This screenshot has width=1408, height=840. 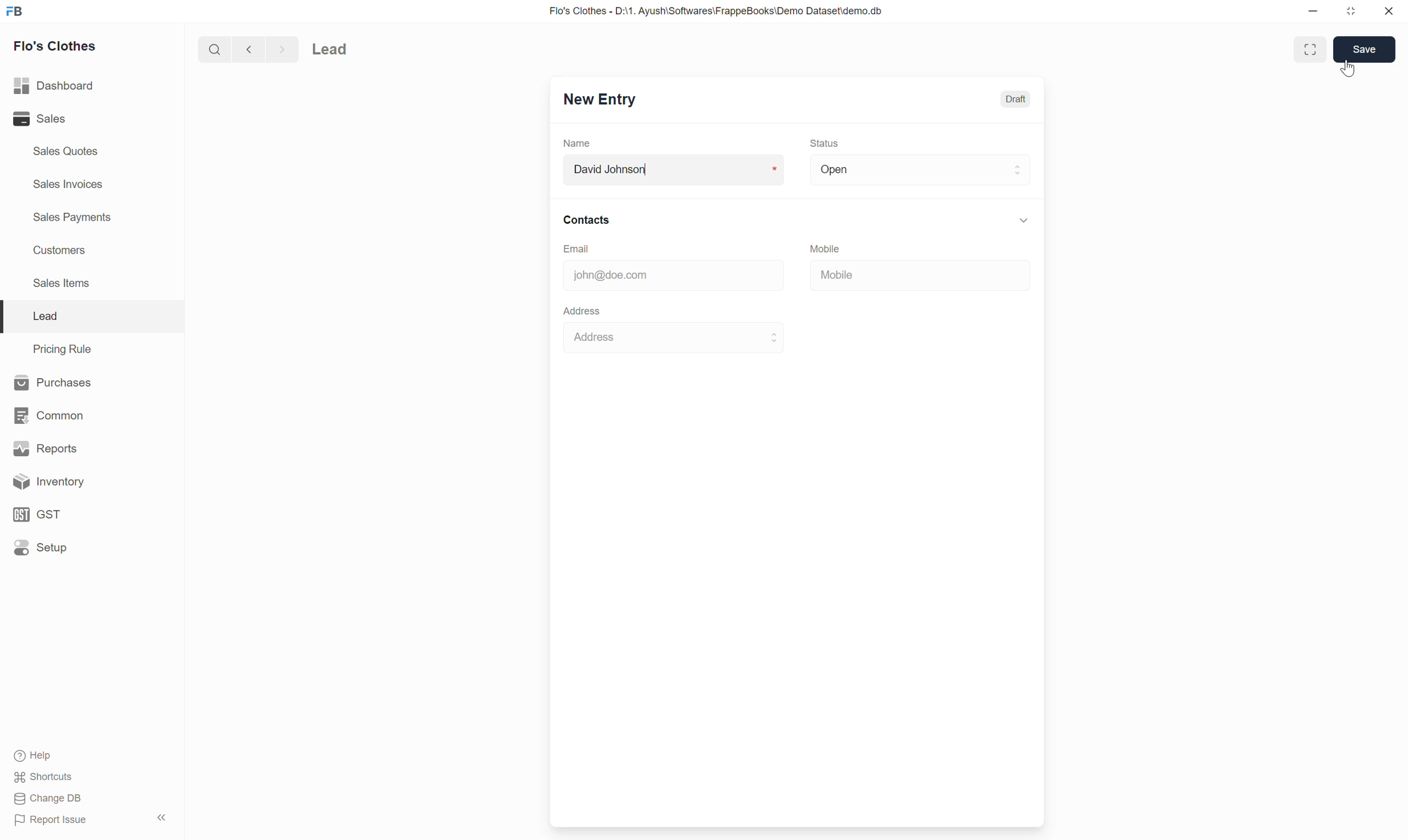 What do you see at coordinates (1313, 13) in the screenshot?
I see `minimise` at bounding box center [1313, 13].